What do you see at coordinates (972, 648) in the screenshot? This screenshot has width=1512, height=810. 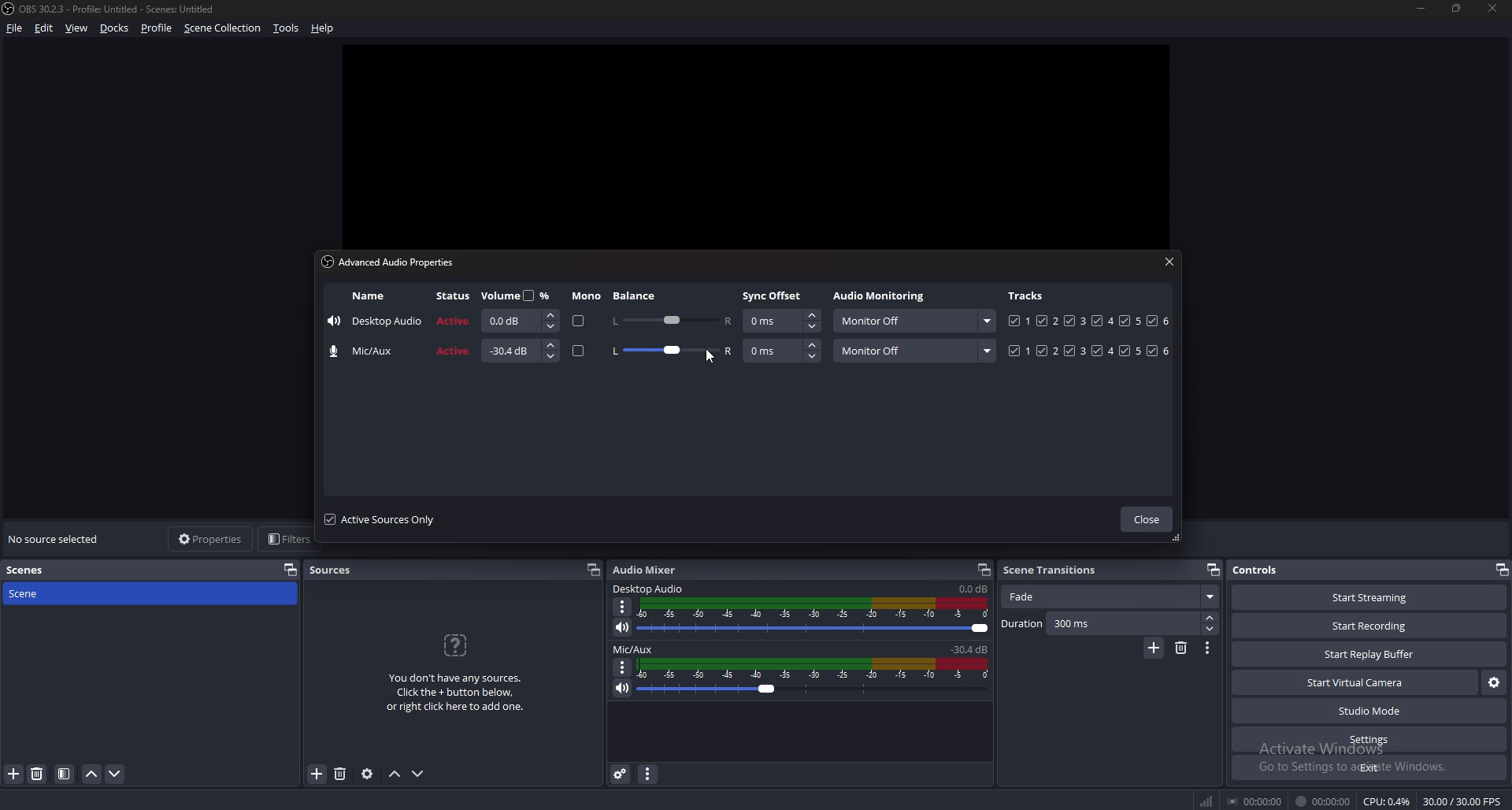 I see `mic/aux volume` at bounding box center [972, 648].